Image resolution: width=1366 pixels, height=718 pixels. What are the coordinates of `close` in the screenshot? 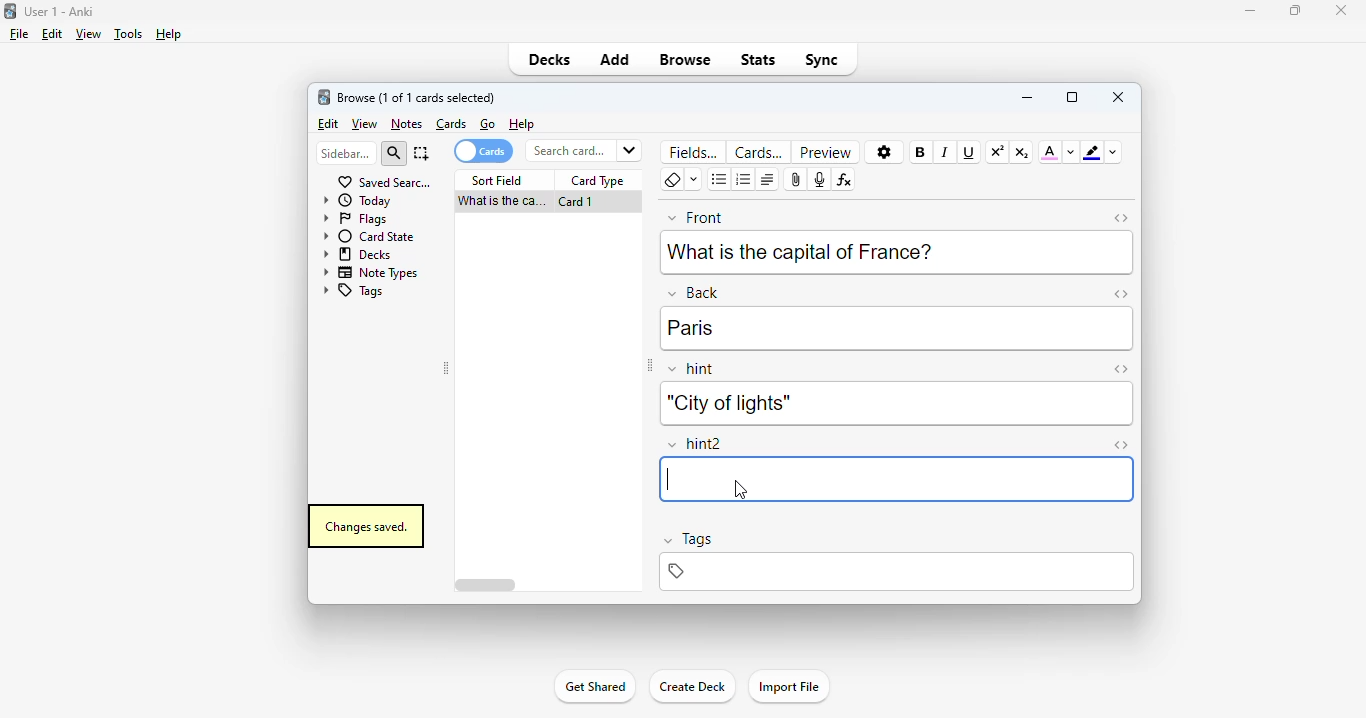 It's located at (1119, 96).